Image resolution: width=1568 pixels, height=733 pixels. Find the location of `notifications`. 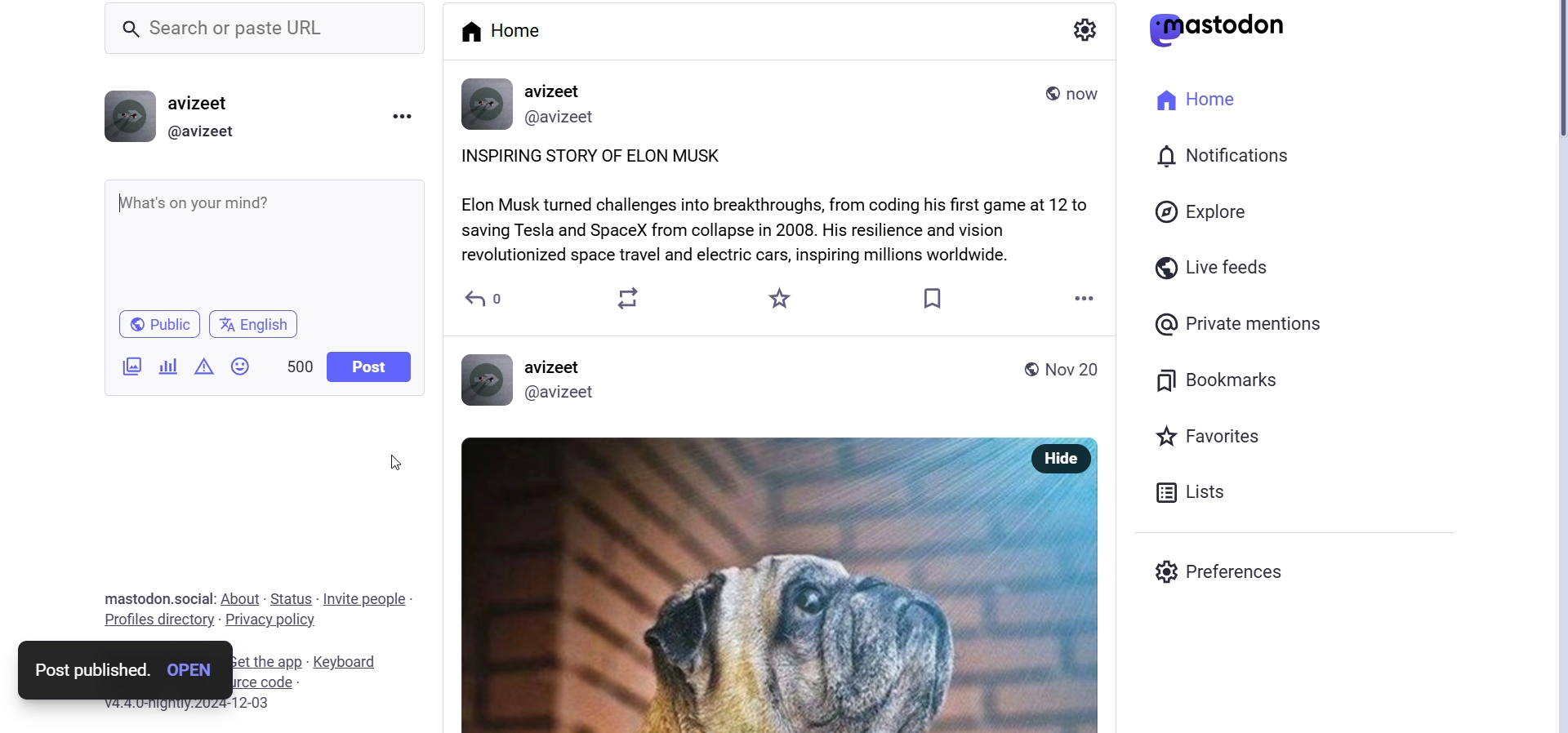

notifications is located at coordinates (1220, 158).